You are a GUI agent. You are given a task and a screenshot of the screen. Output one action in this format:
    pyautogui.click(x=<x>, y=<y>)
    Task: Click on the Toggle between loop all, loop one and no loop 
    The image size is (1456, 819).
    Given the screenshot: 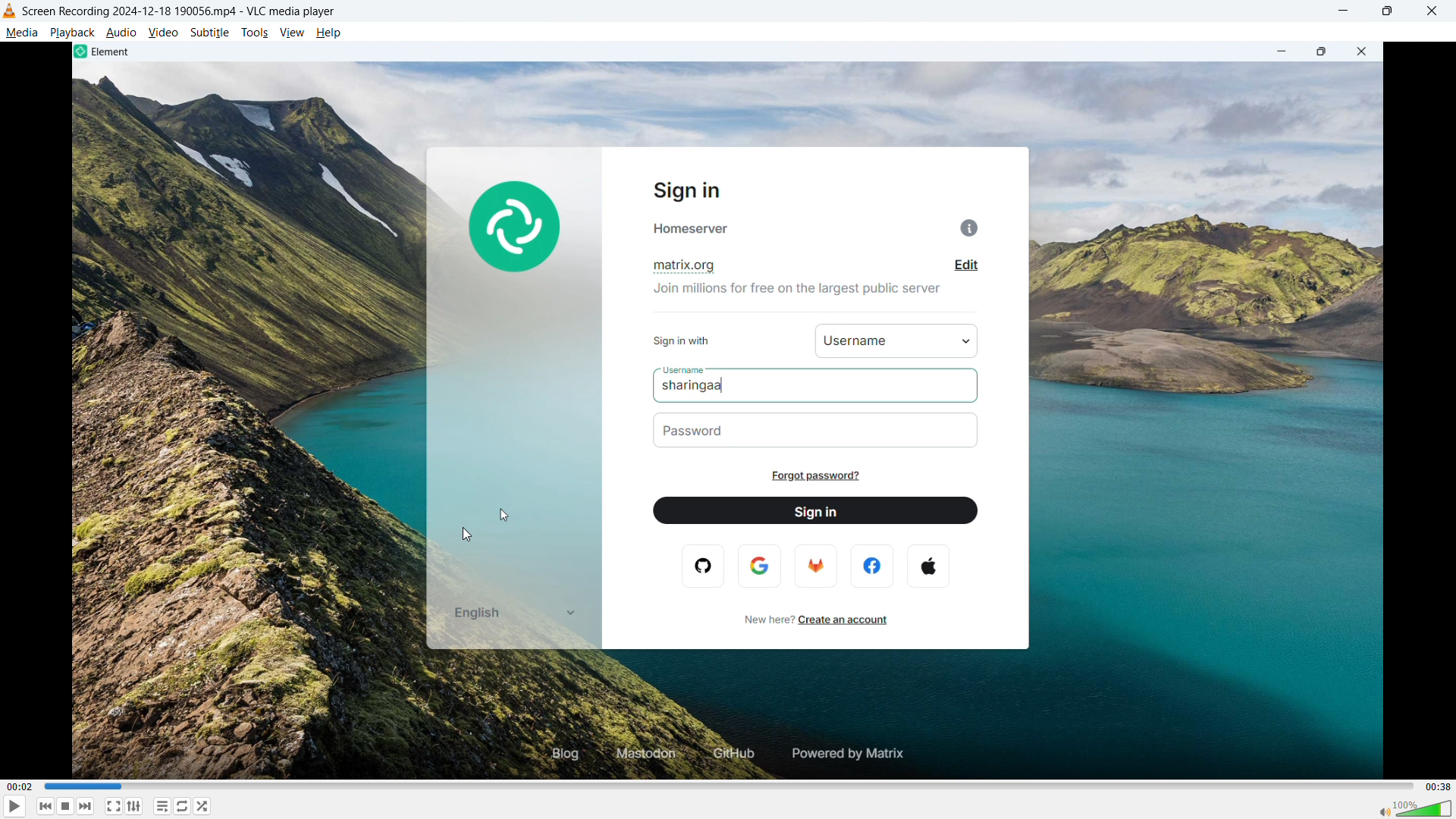 What is the action you would take?
    pyautogui.click(x=184, y=806)
    